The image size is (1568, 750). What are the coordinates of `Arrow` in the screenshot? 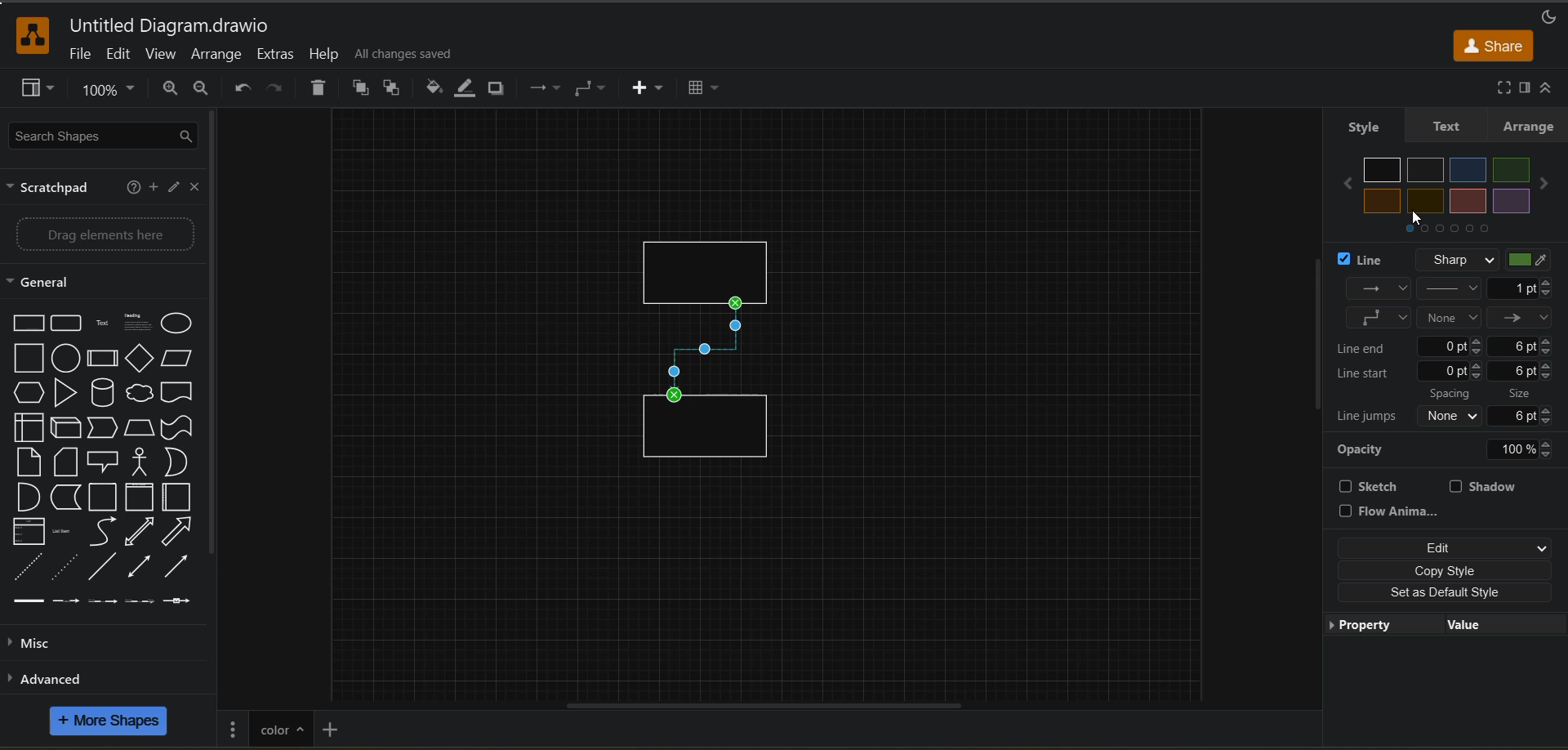 It's located at (182, 567).